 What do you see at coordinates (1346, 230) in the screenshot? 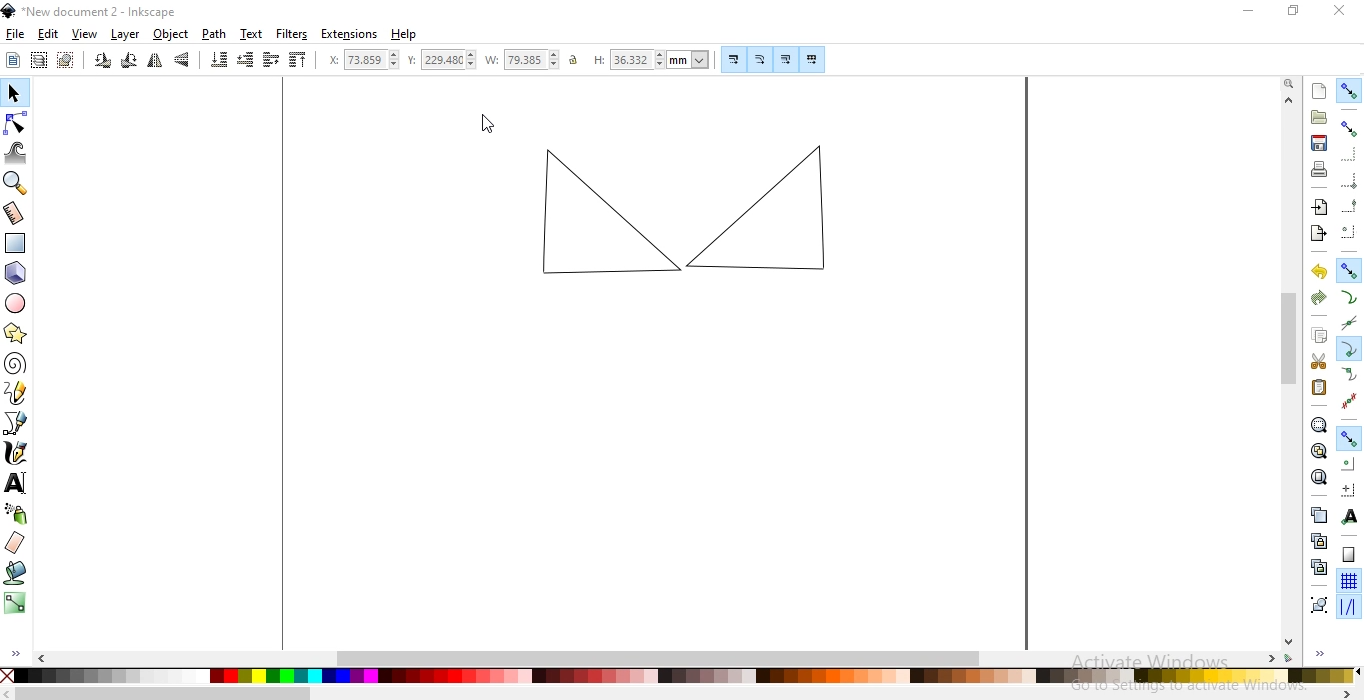
I see `snapping centers of bounding boxes` at bounding box center [1346, 230].